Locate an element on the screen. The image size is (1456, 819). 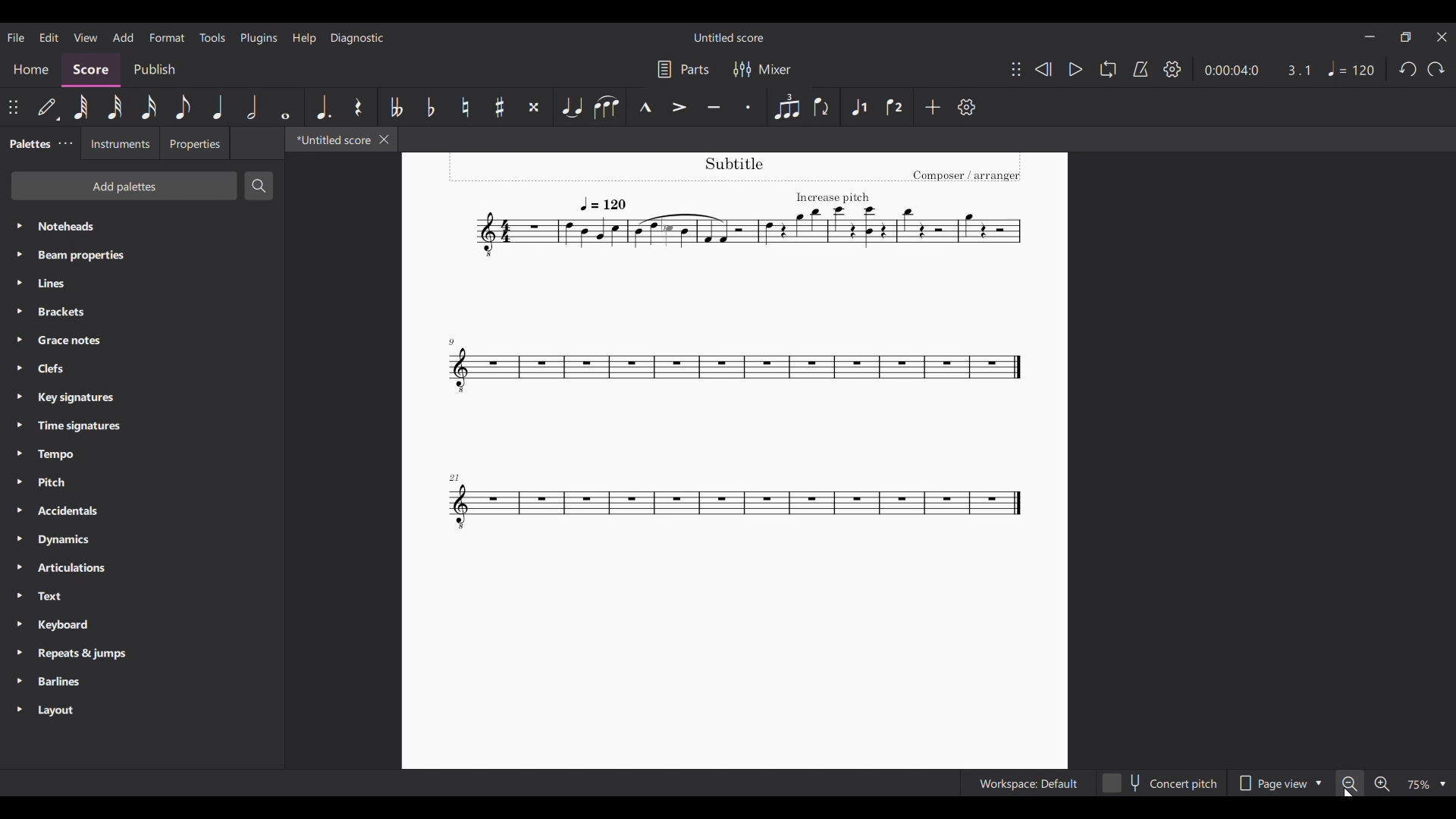
Palette settings is located at coordinates (65, 143).